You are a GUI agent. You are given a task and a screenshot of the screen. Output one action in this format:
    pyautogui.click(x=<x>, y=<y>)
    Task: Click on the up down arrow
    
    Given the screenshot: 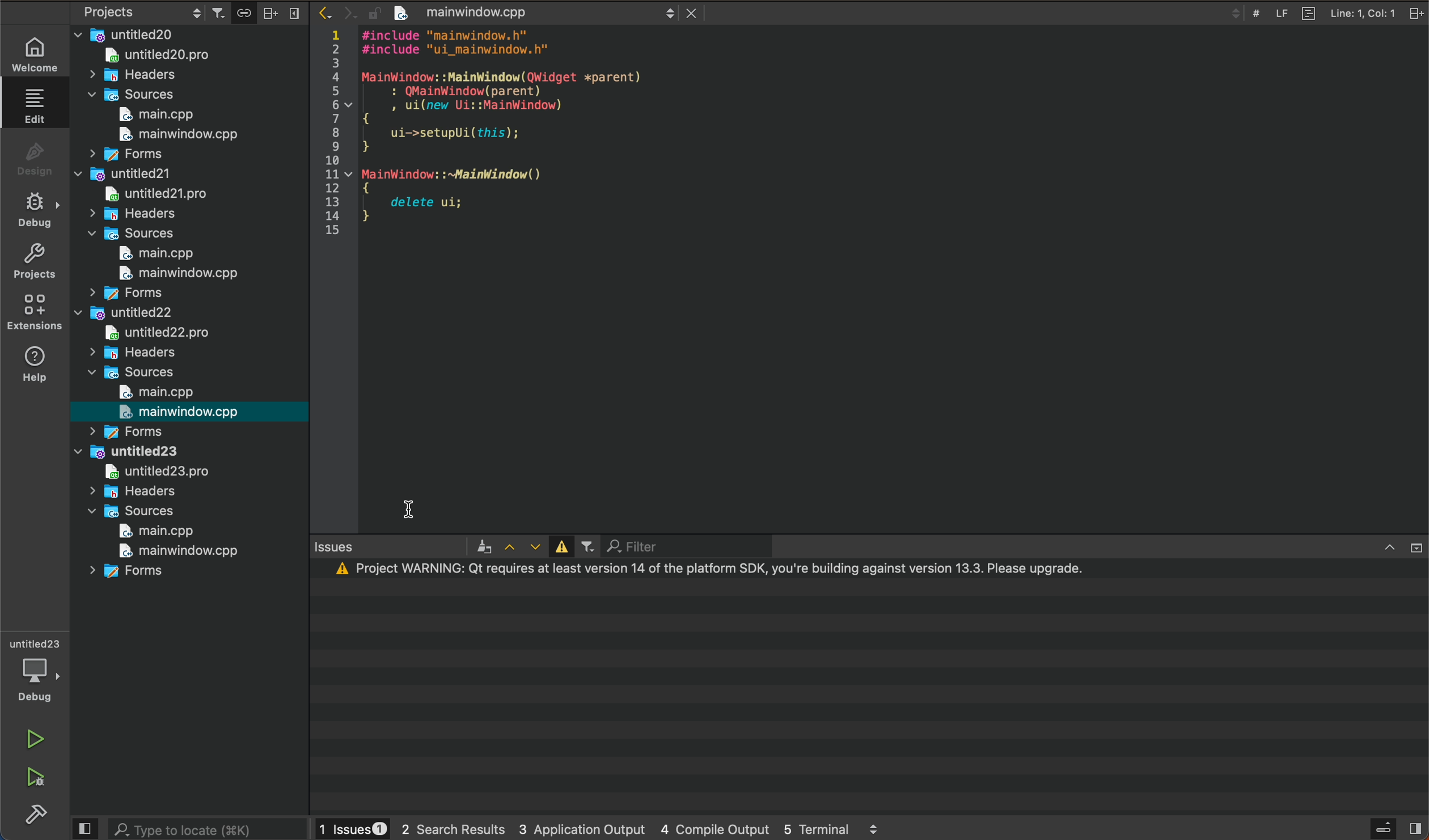 What is the action you would take?
    pyautogui.click(x=1234, y=14)
    